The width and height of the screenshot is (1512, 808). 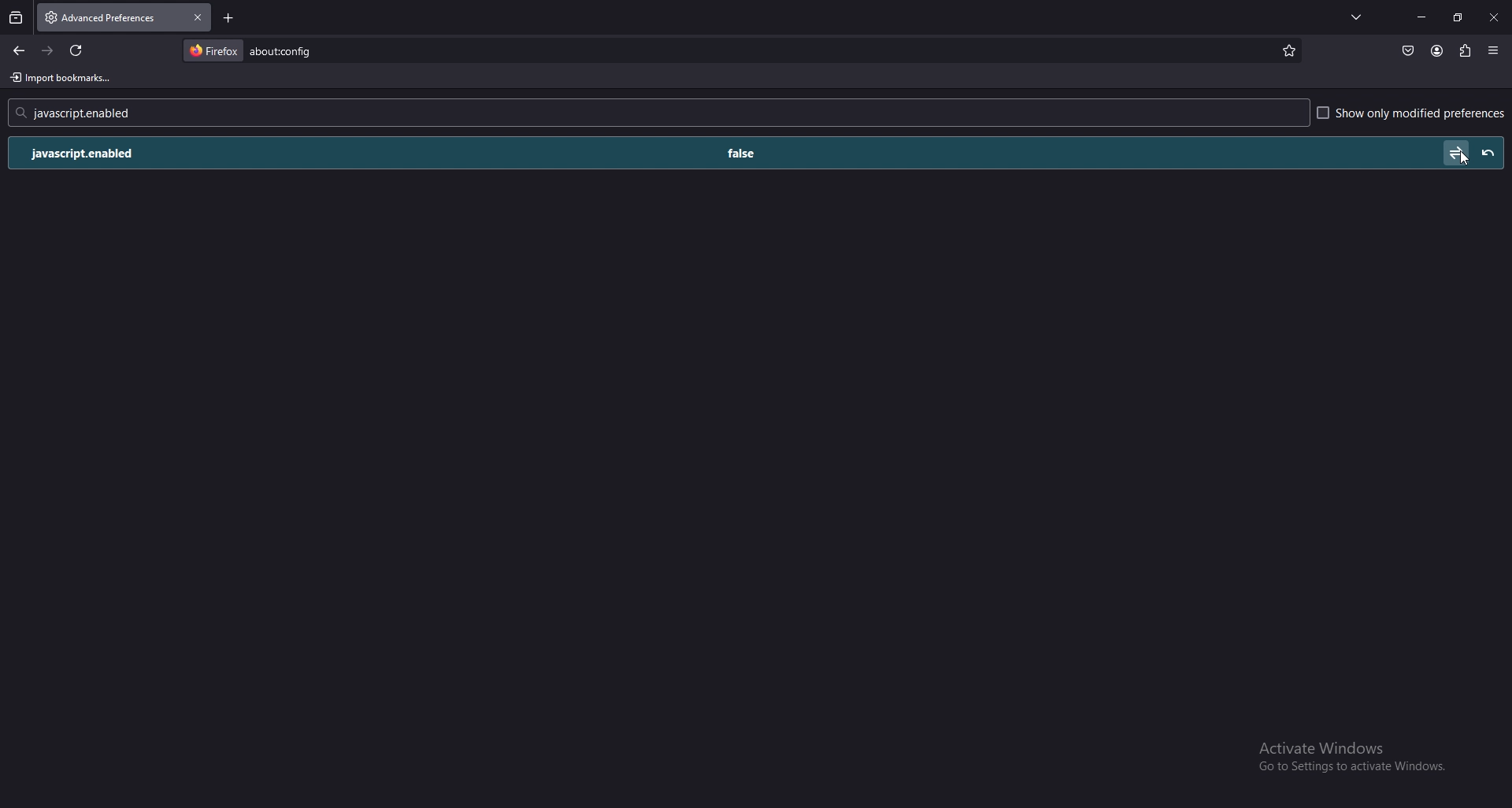 What do you see at coordinates (213, 50) in the screenshot?
I see `firefox` at bounding box center [213, 50].